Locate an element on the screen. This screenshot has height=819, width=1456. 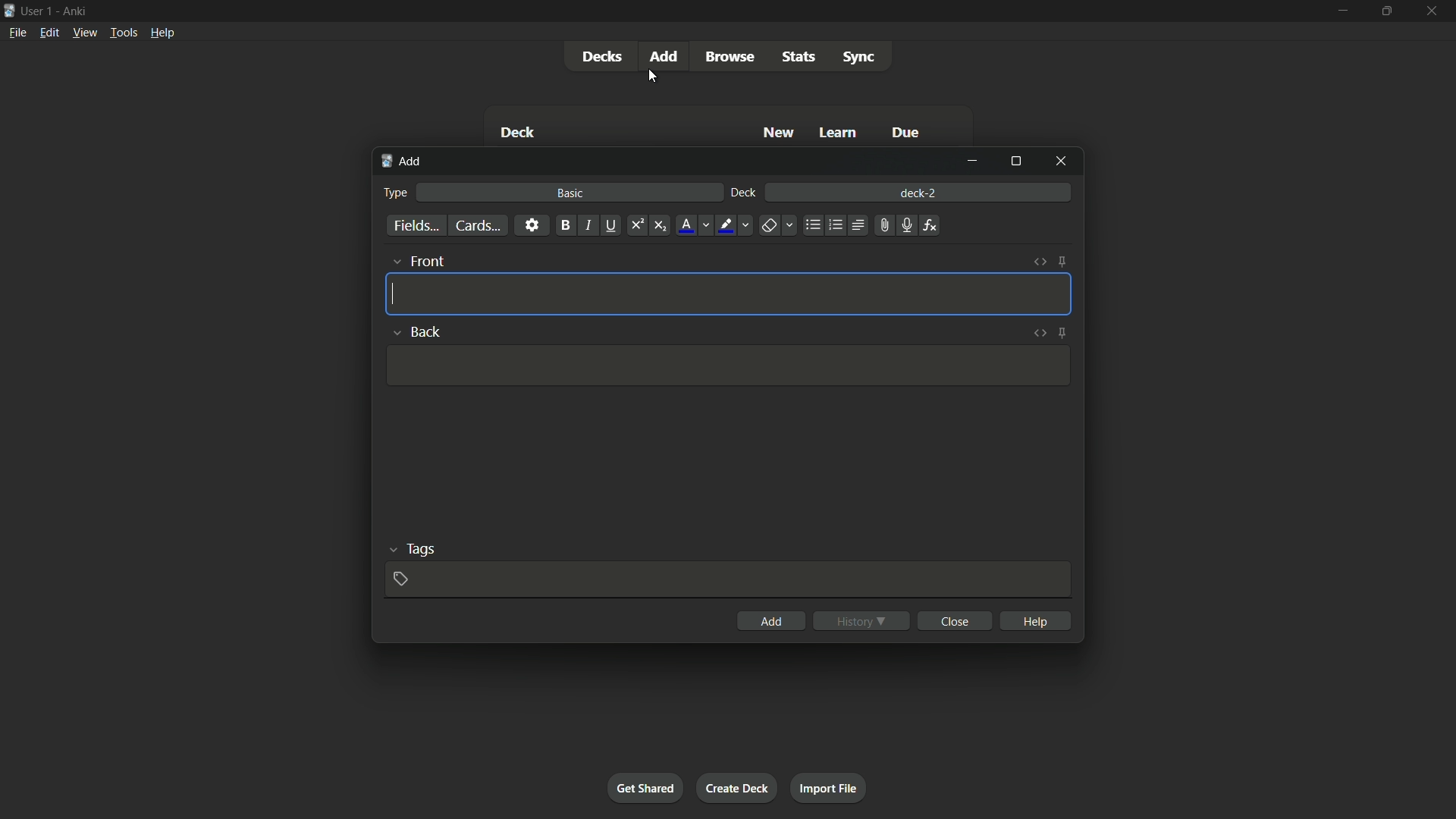
unordered list is located at coordinates (811, 225).